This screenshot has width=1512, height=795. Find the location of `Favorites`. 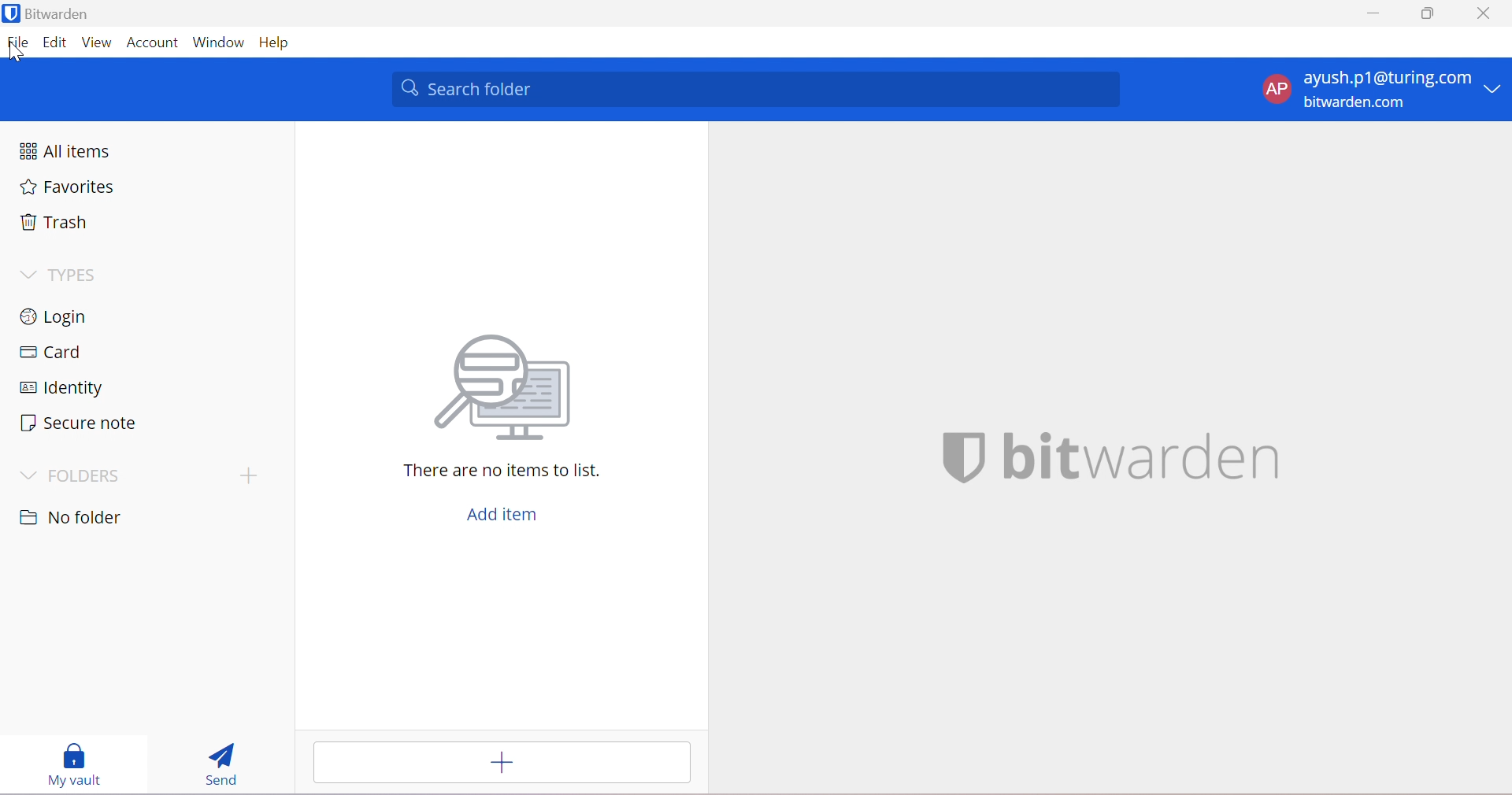

Favorites is located at coordinates (69, 187).